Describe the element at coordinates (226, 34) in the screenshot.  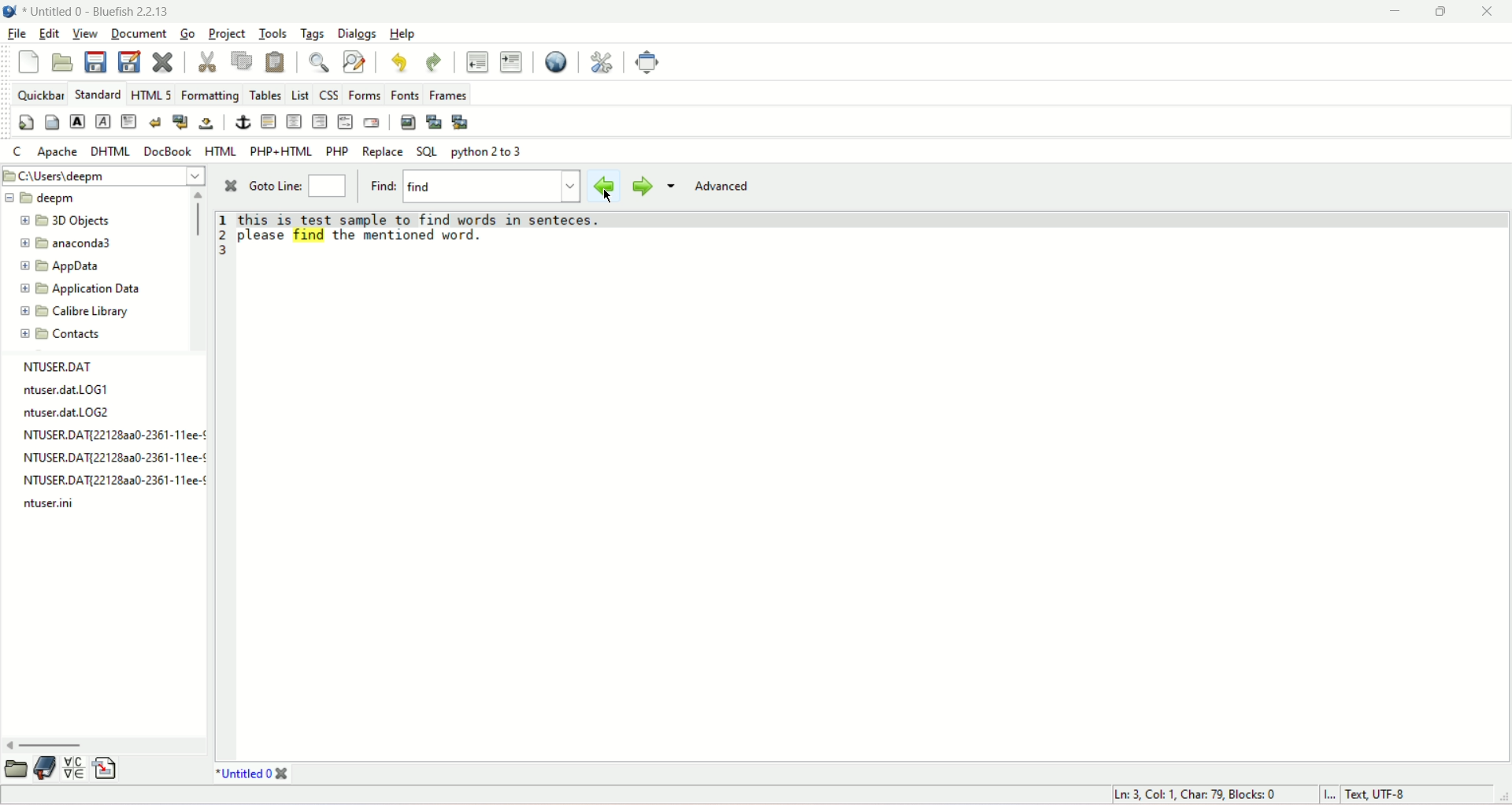
I see `project` at that location.